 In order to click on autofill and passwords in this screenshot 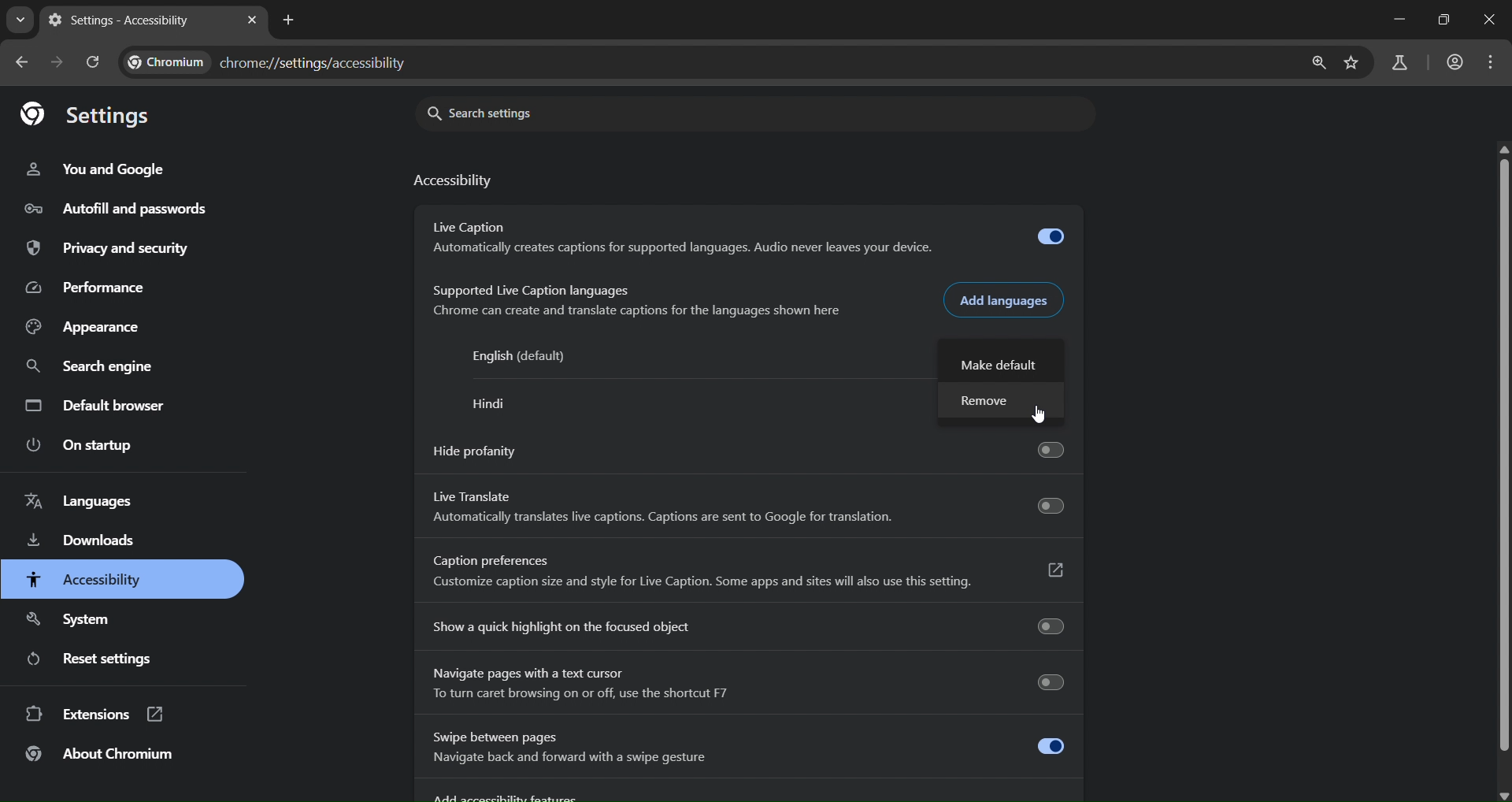, I will do `click(124, 208)`.